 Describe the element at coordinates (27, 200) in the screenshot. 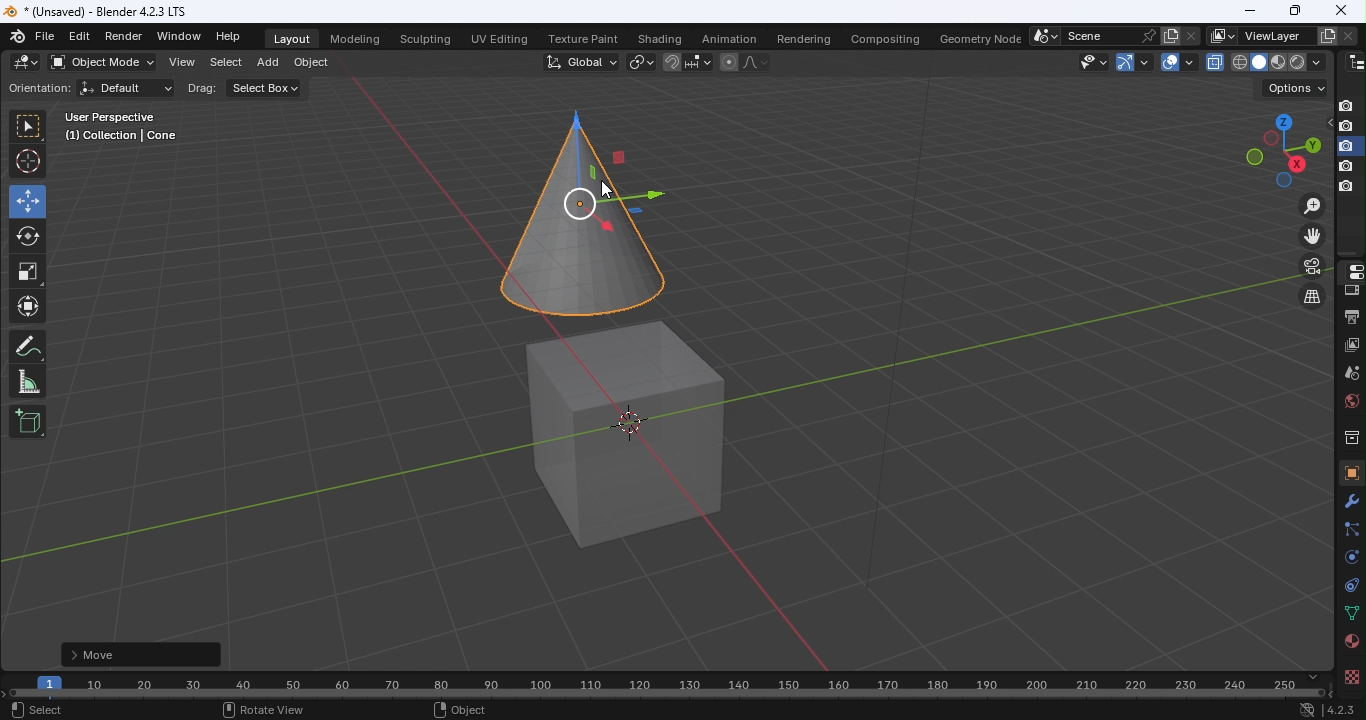

I see `Move` at that location.